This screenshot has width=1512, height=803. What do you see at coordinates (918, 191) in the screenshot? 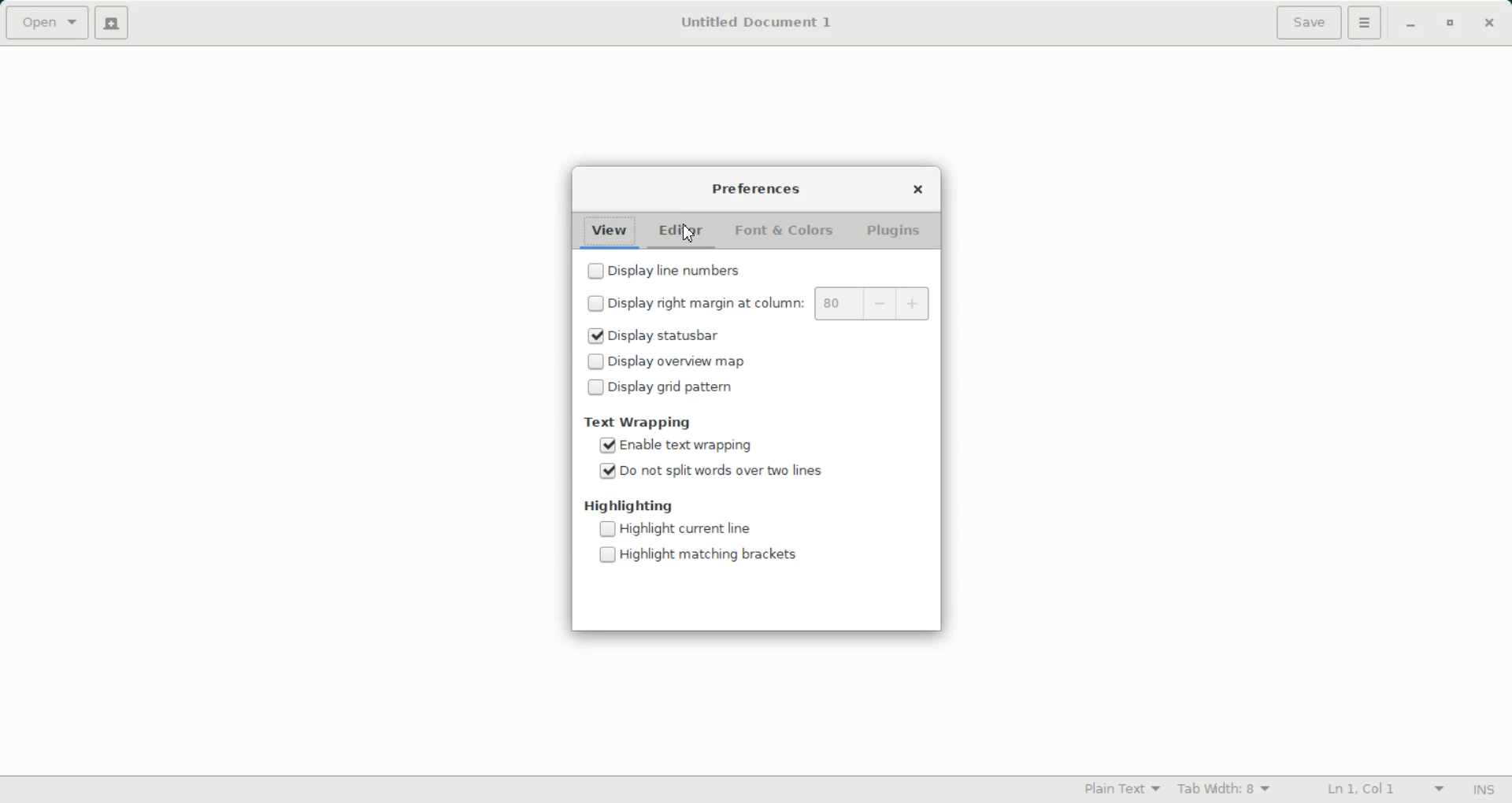
I see `Close` at bounding box center [918, 191].